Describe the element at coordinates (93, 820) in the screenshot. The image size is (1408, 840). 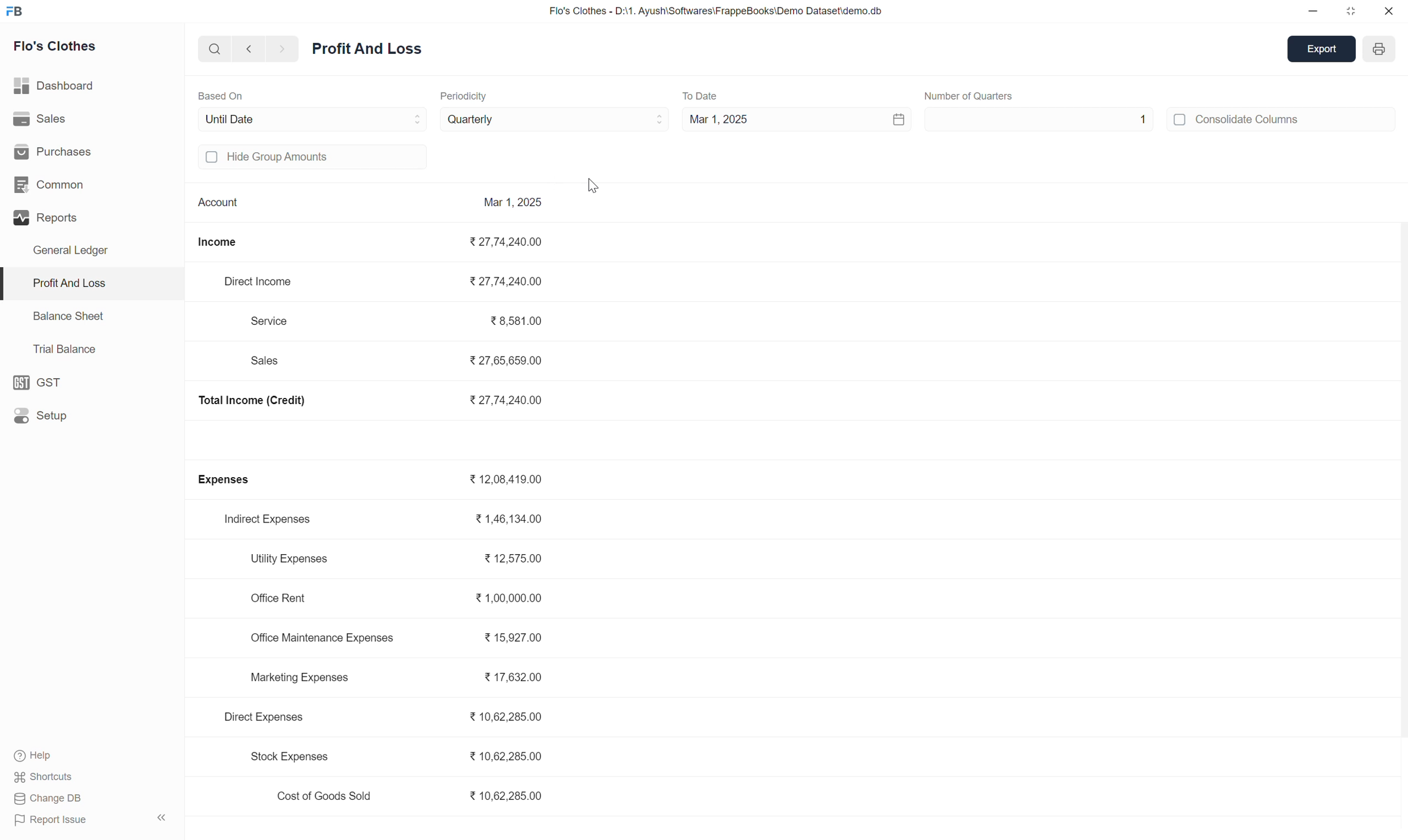
I see `Report Issue «` at that location.